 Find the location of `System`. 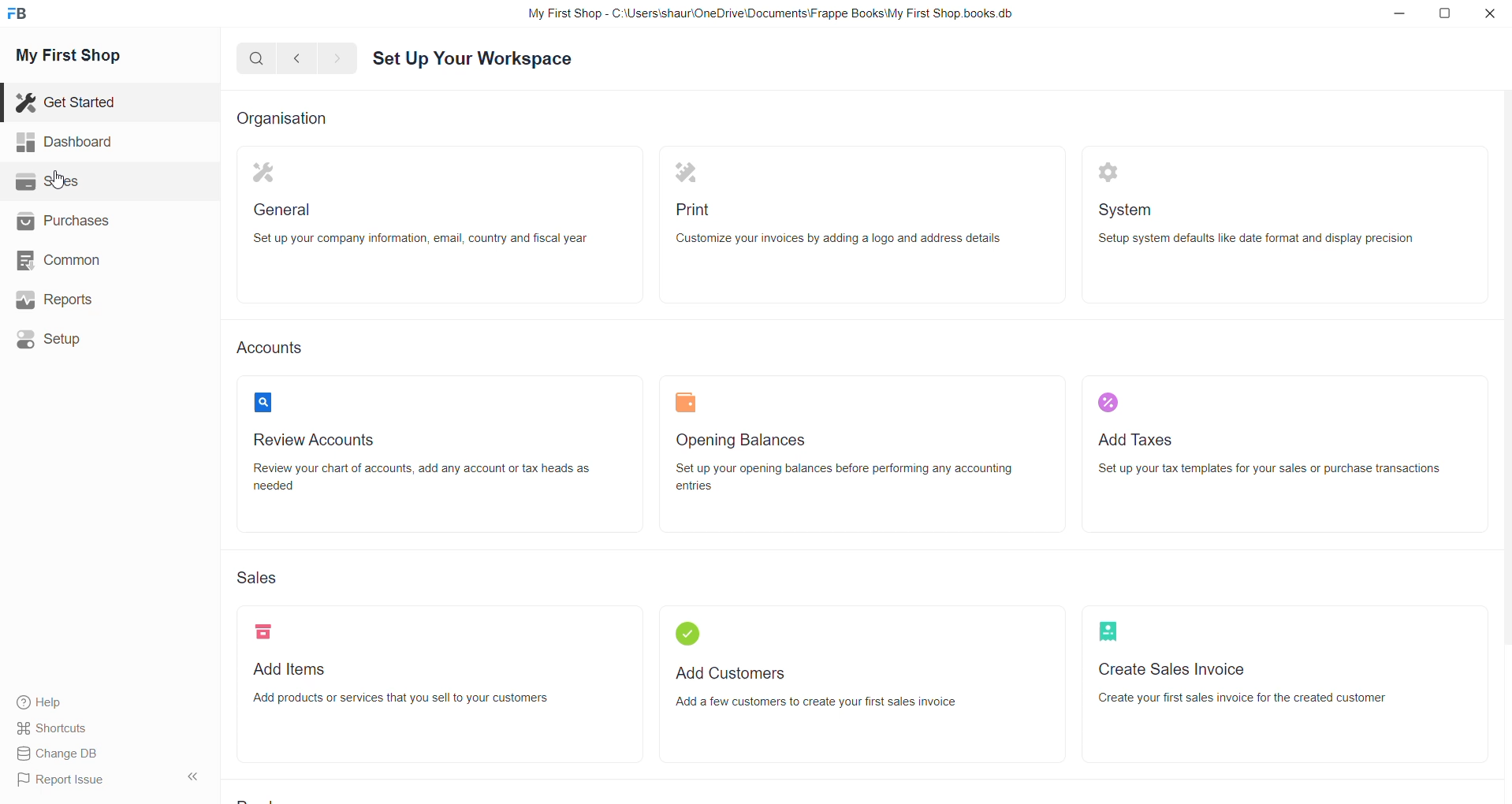

System is located at coordinates (1286, 226).